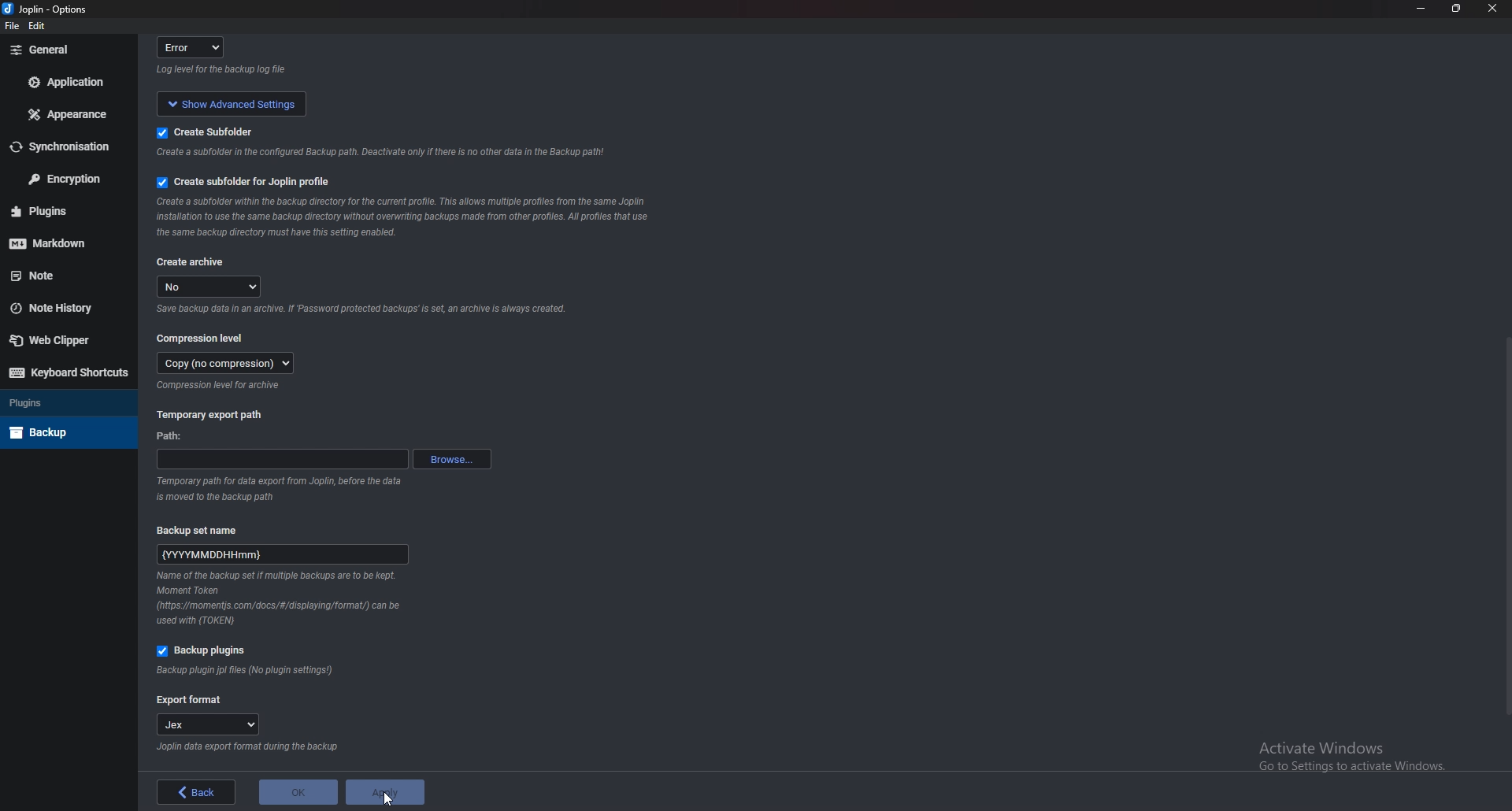  I want to click on General, so click(65, 50).